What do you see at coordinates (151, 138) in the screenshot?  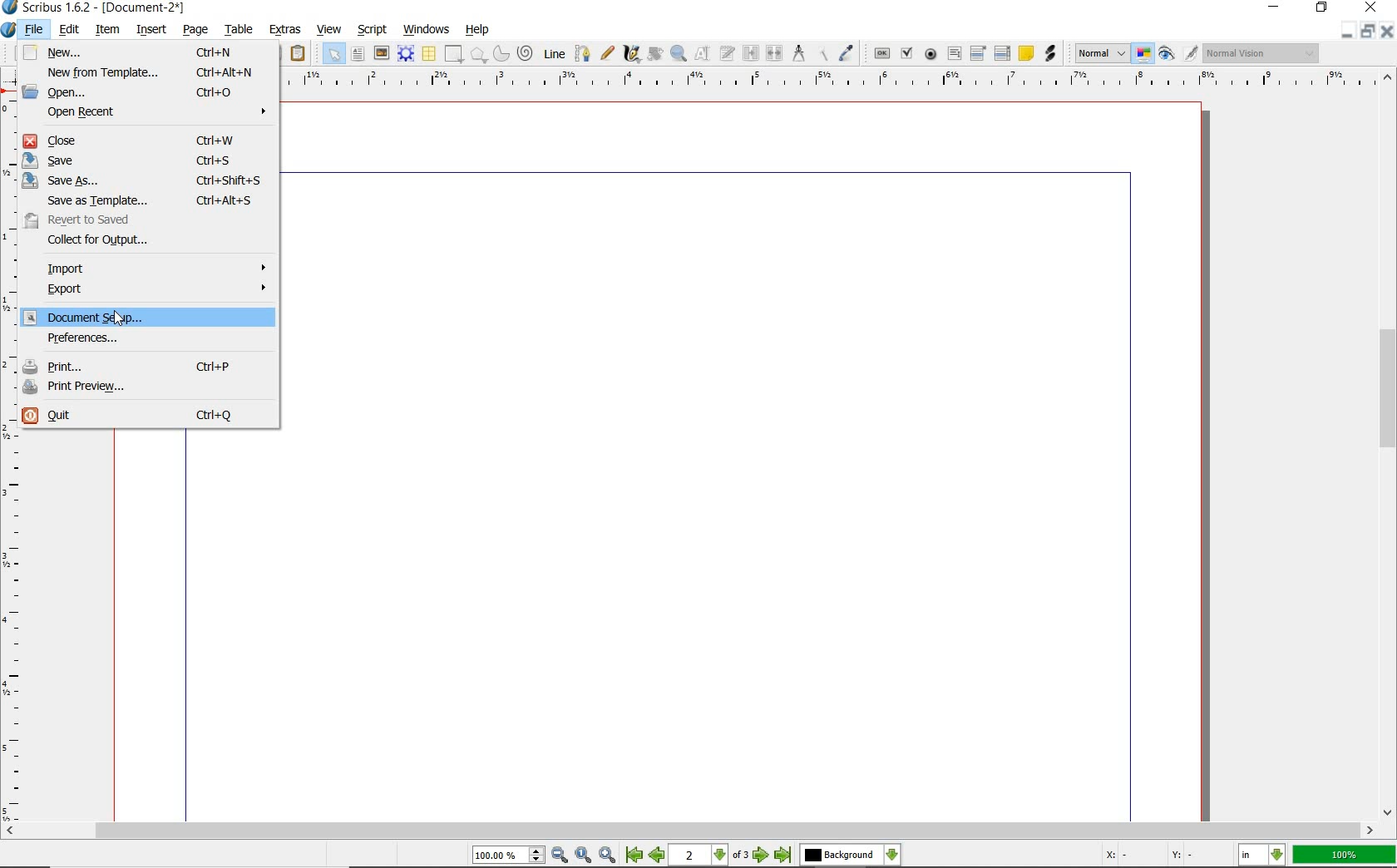 I see `close` at bounding box center [151, 138].